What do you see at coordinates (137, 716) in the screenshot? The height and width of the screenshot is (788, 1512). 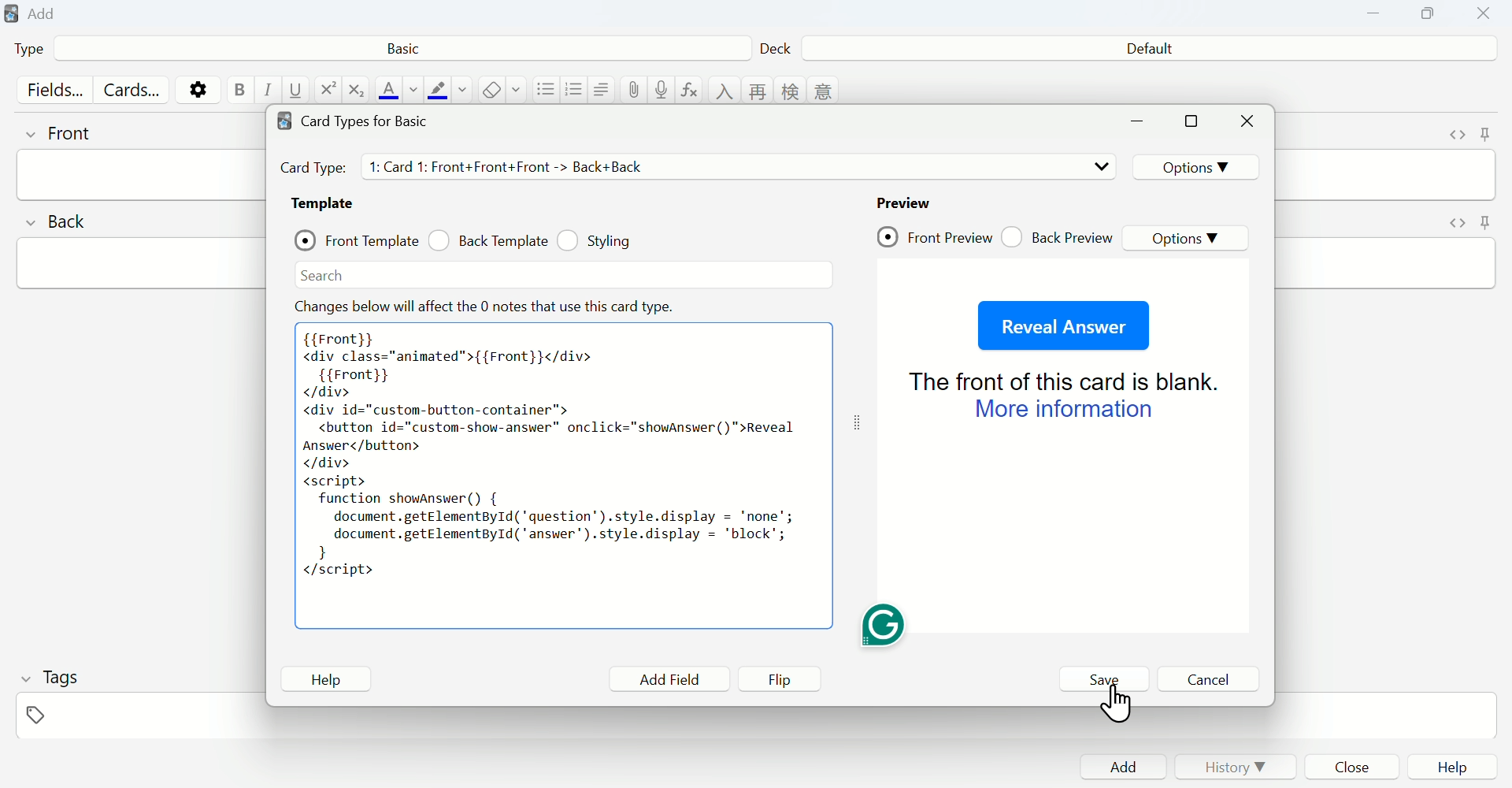 I see `tags` at bounding box center [137, 716].